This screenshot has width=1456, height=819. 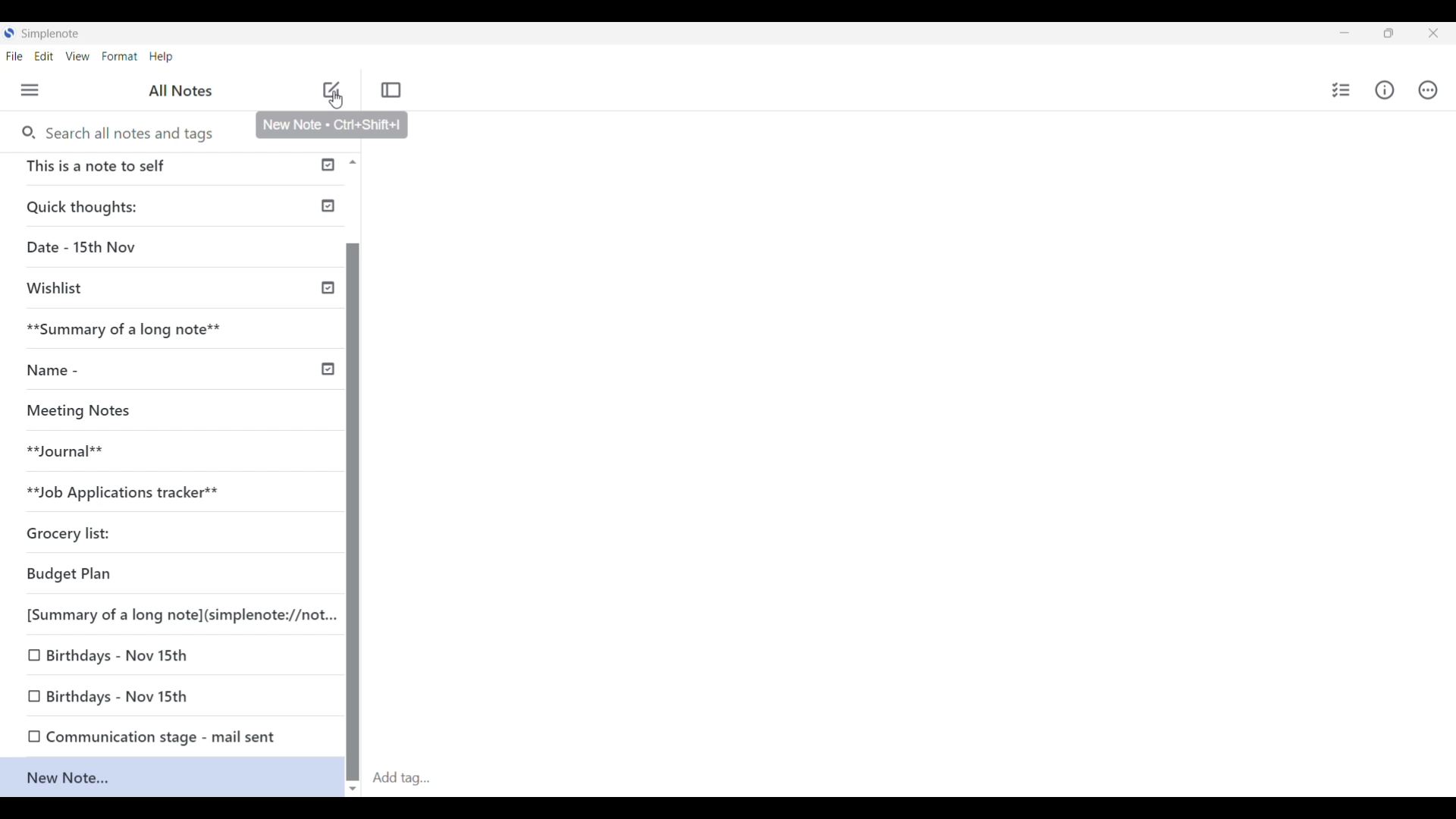 What do you see at coordinates (328, 267) in the screenshot?
I see `Check icon indicating published notes` at bounding box center [328, 267].